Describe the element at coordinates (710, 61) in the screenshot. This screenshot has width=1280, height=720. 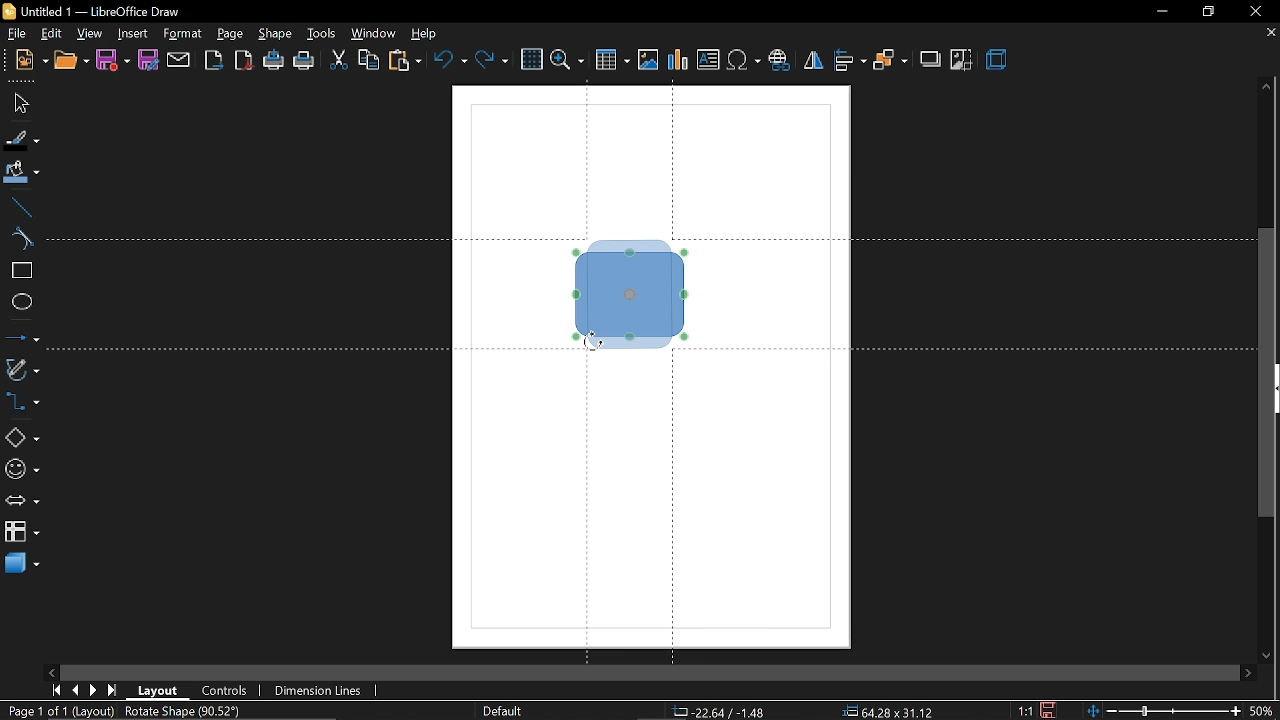
I see `insert text` at that location.